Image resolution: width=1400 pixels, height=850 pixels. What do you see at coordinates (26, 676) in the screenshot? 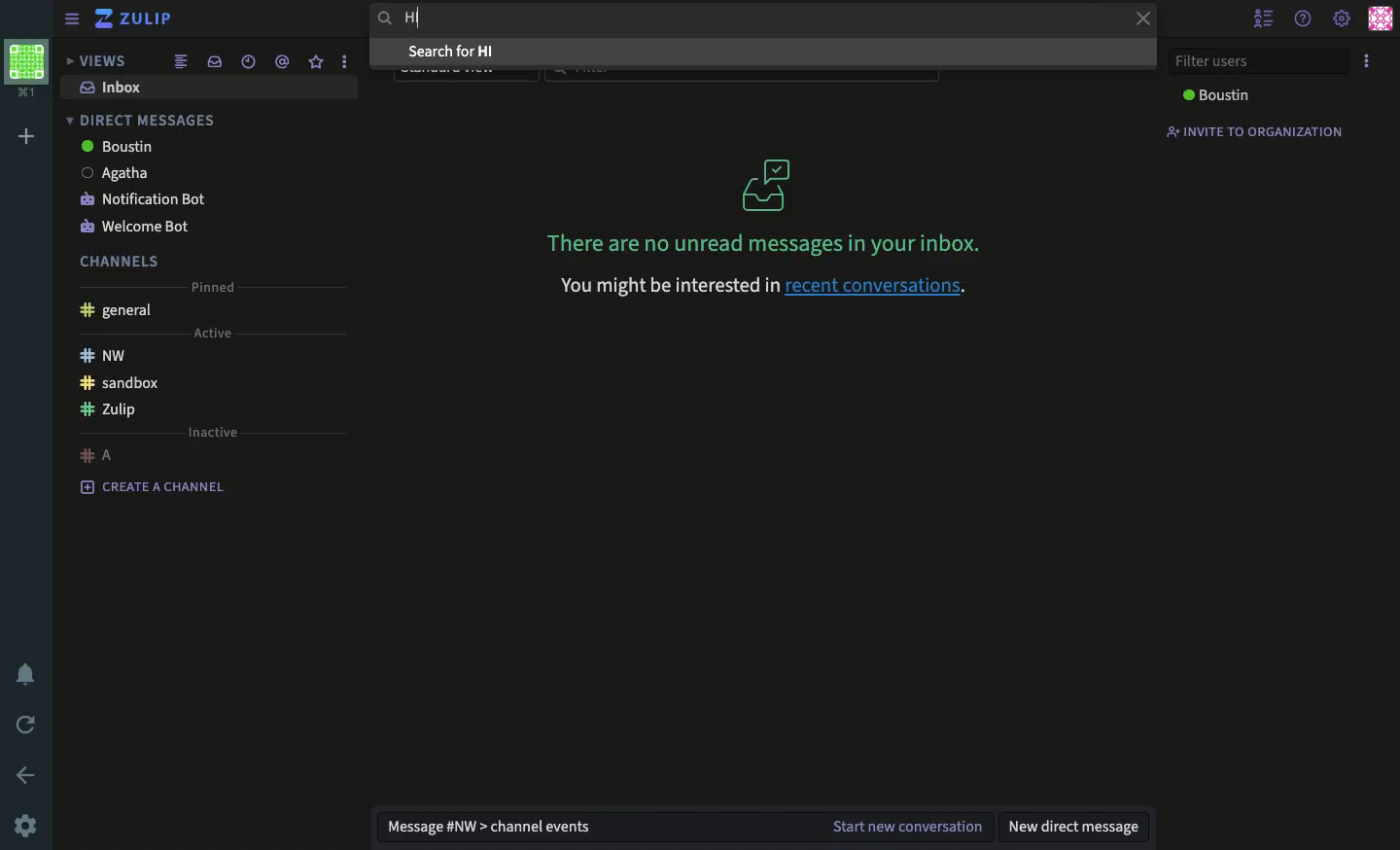
I see `notification` at bounding box center [26, 676].